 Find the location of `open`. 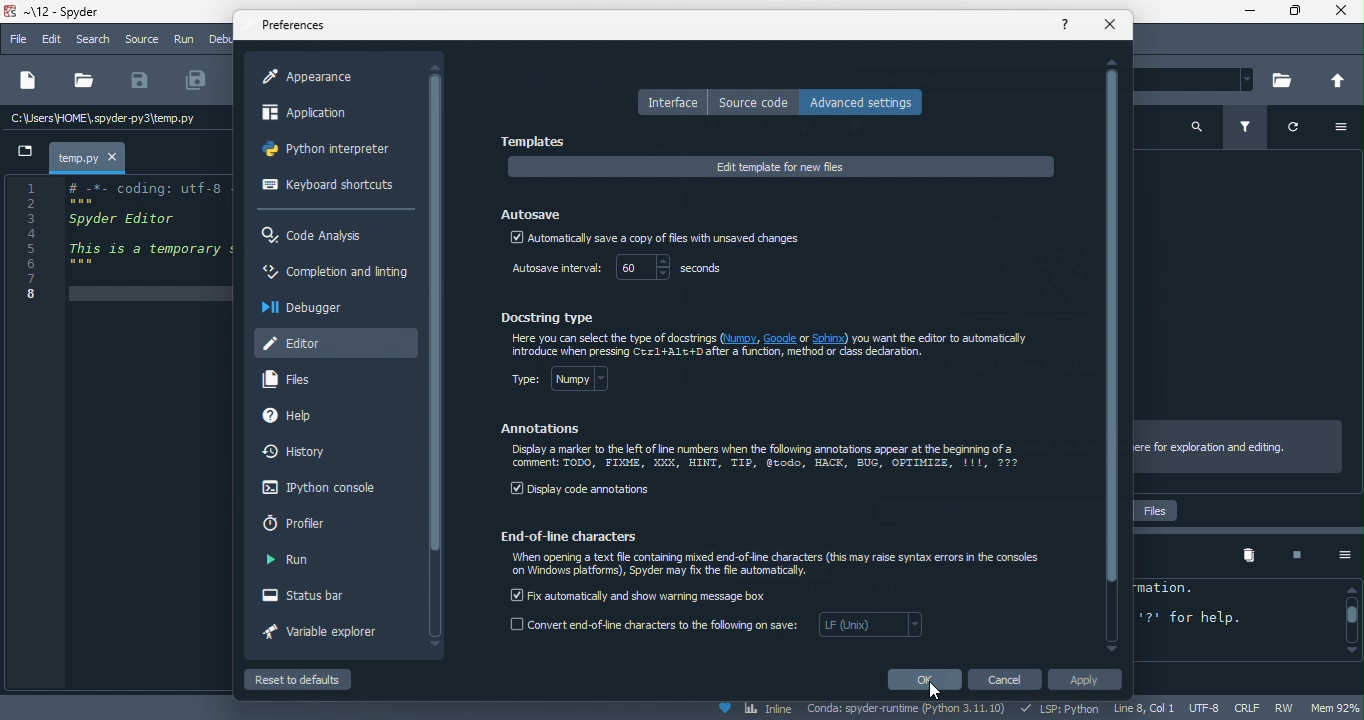

open is located at coordinates (83, 81).